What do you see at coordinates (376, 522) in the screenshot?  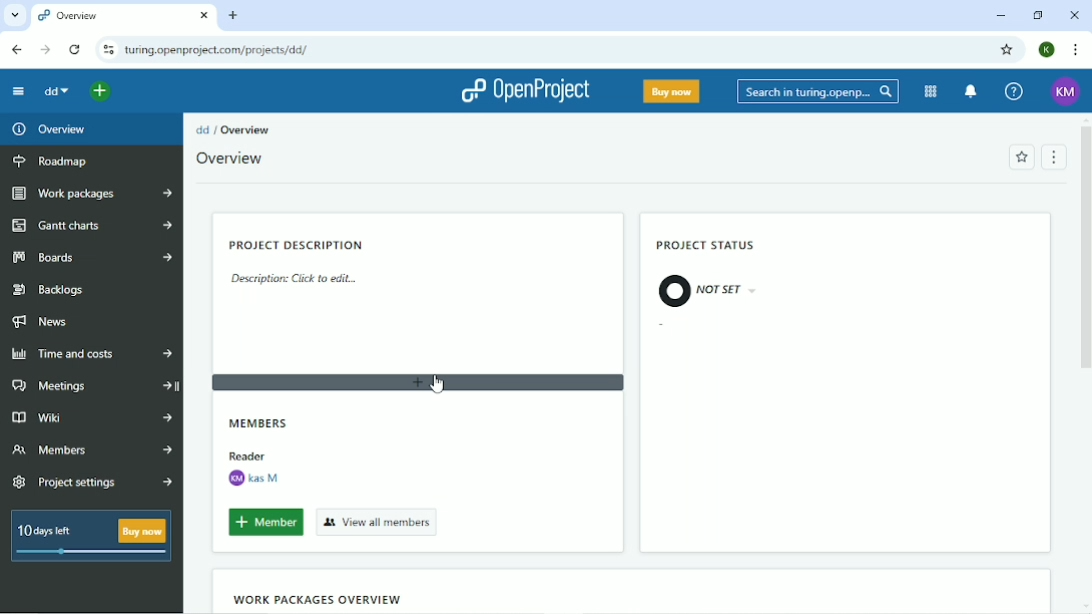 I see `View all members` at bounding box center [376, 522].